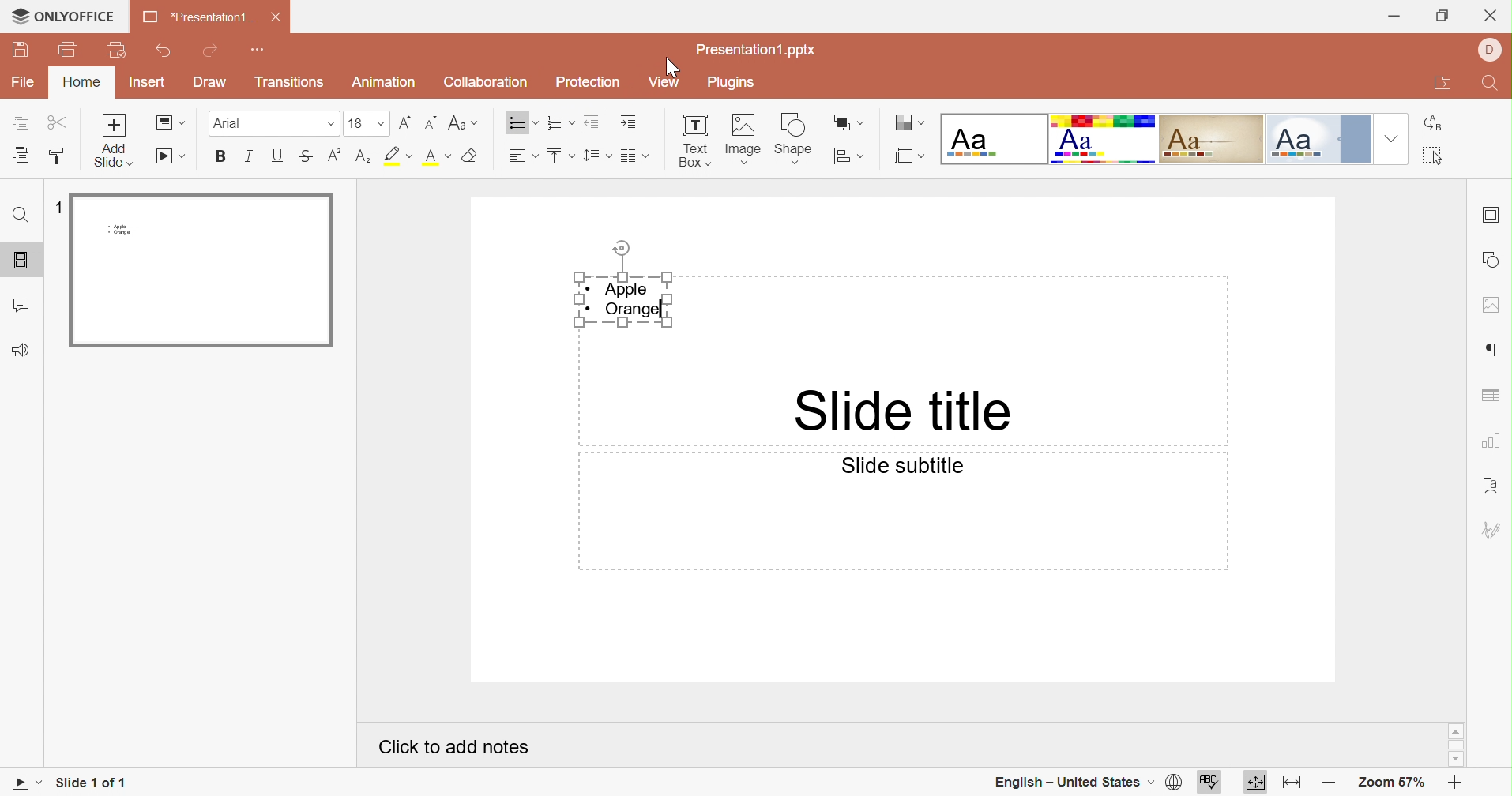 This screenshot has height=796, width=1512. I want to click on Subscript, so click(363, 155).